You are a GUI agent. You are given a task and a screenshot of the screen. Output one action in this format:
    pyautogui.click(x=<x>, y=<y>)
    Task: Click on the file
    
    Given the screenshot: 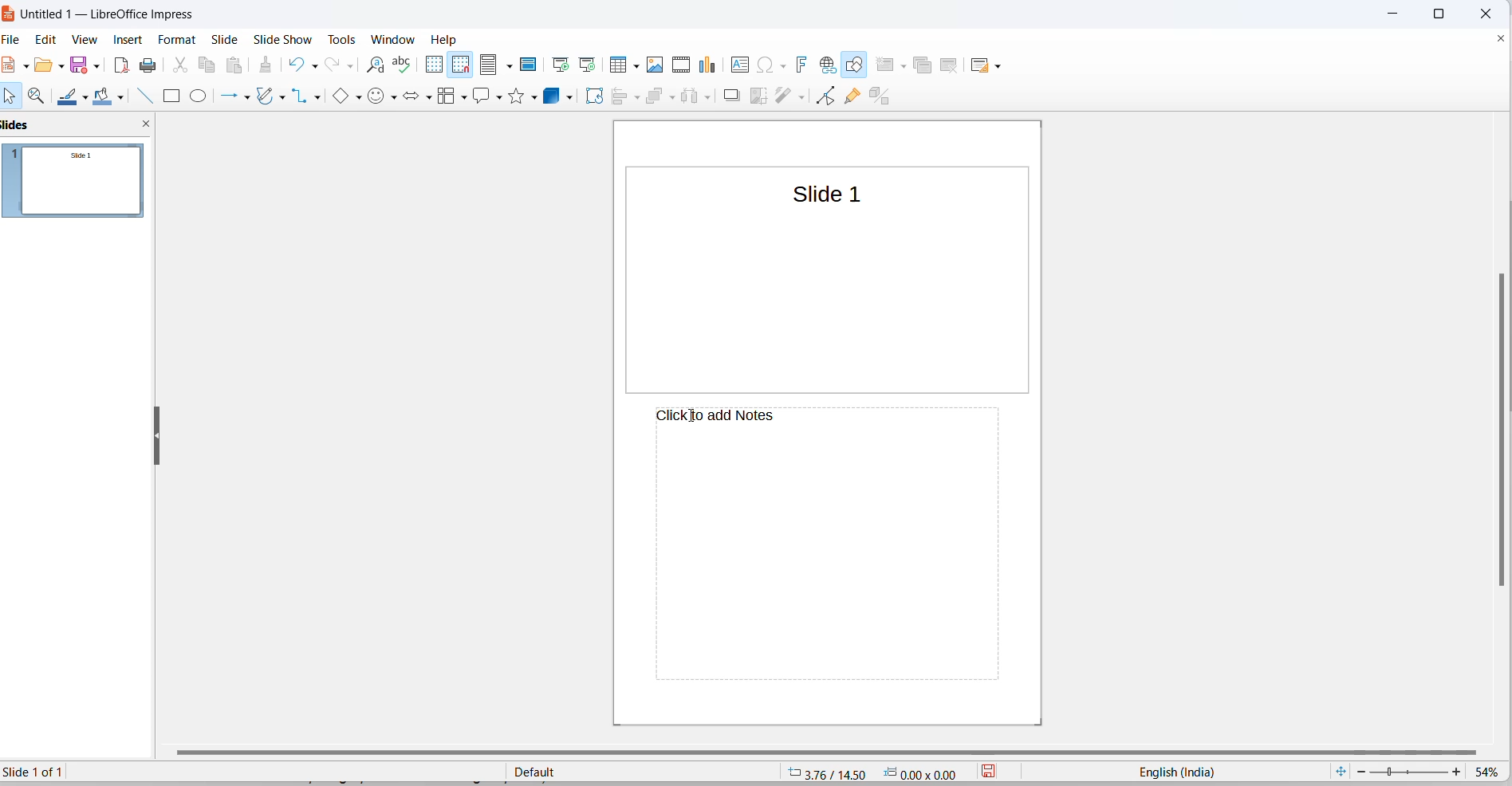 What is the action you would take?
    pyautogui.click(x=12, y=65)
    